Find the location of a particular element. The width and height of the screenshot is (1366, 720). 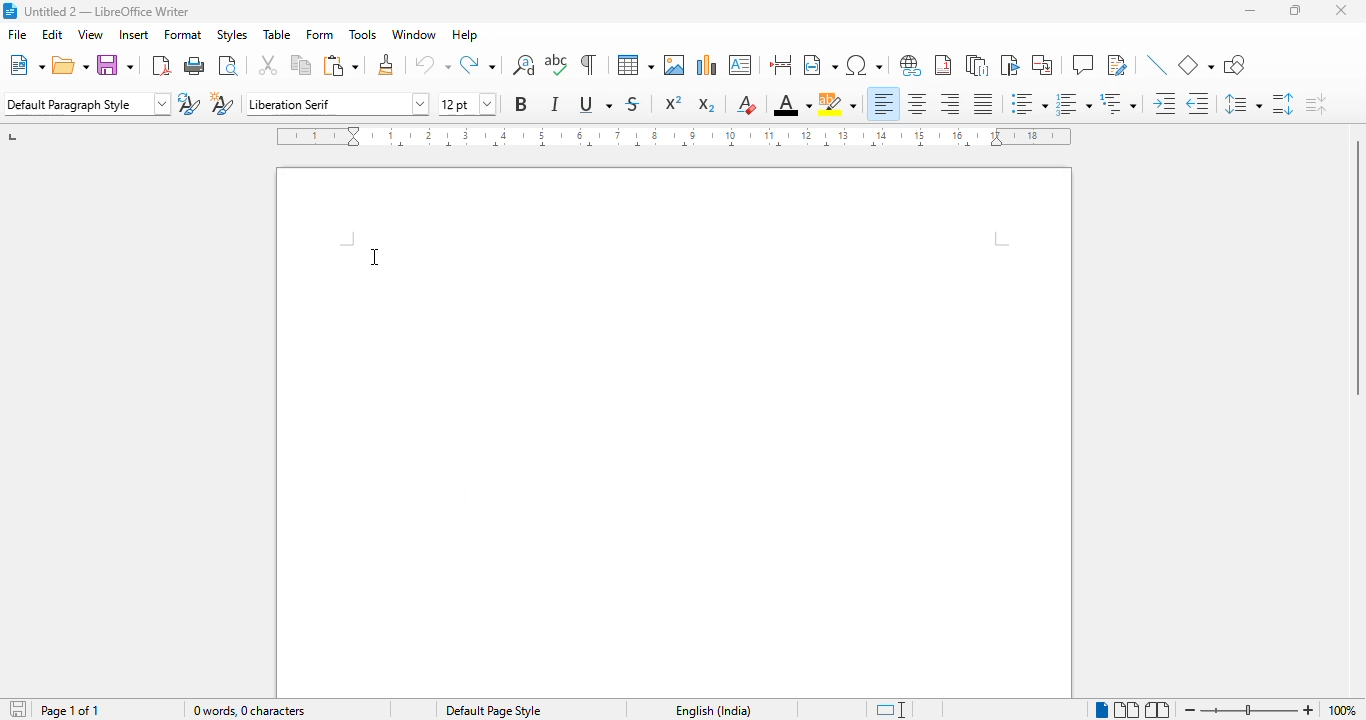

table is located at coordinates (634, 64).